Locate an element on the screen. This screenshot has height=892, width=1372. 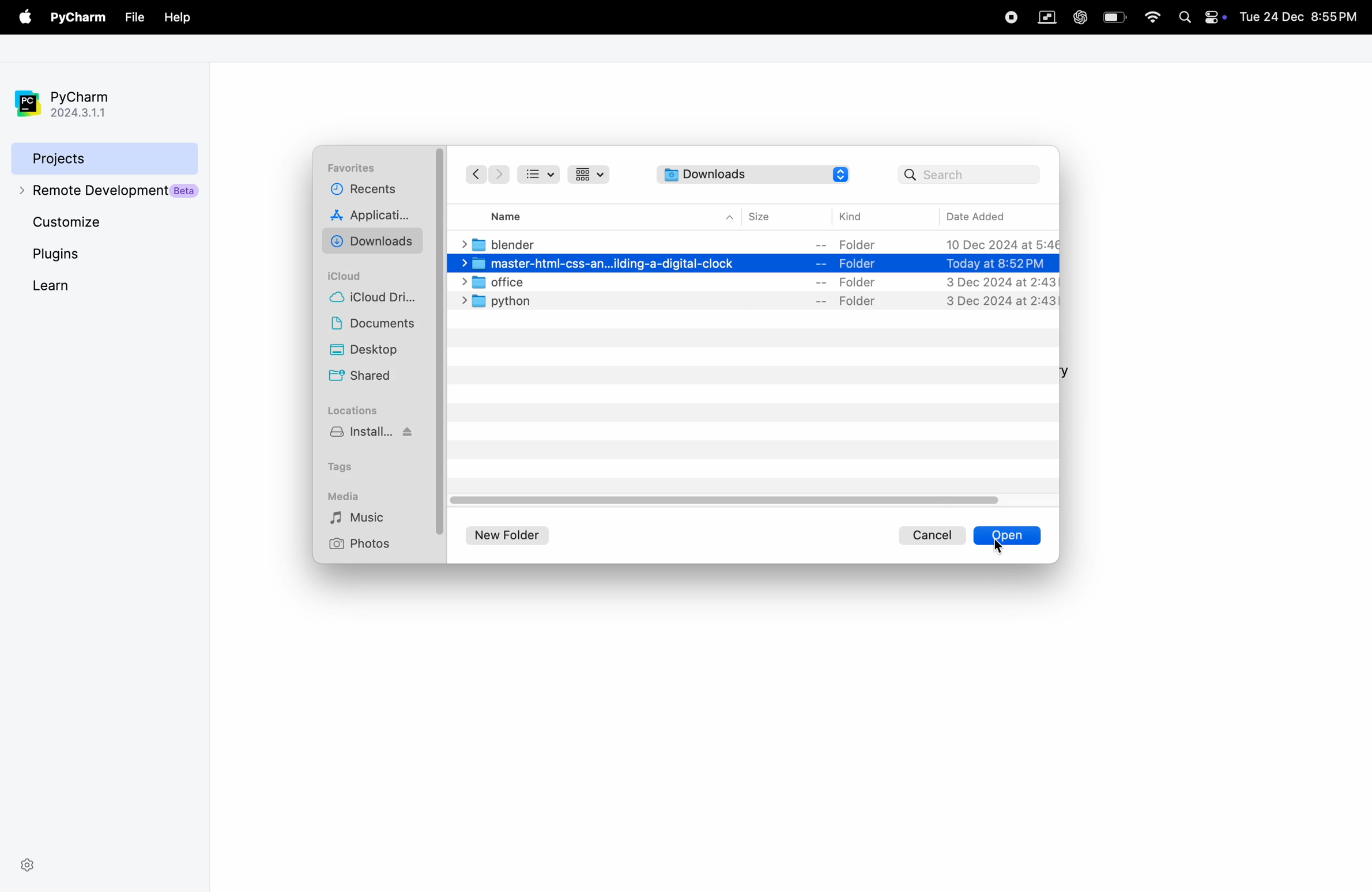
pycharm is located at coordinates (78, 18).